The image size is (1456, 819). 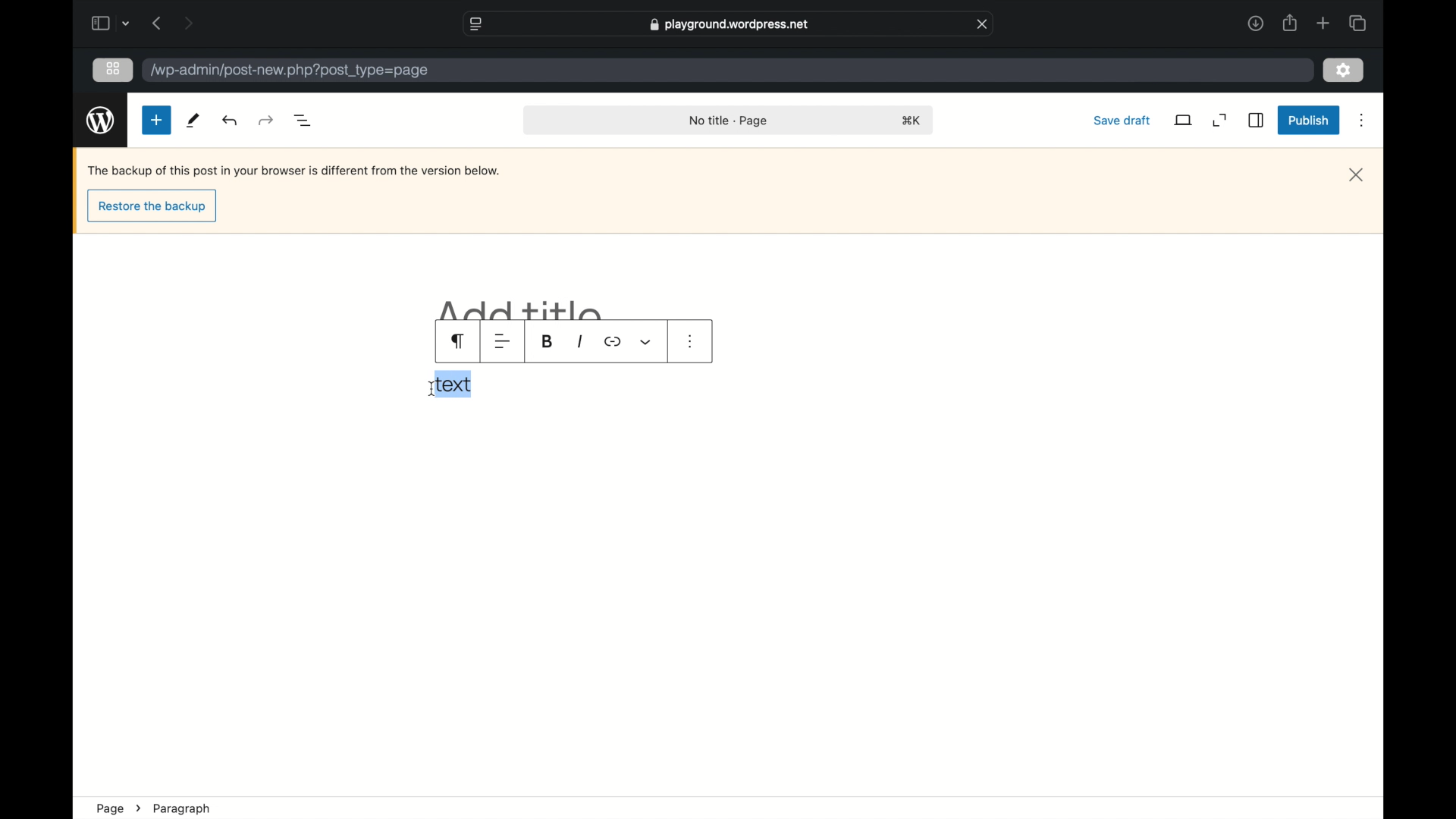 What do you see at coordinates (1309, 121) in the screenshot?
I see `publish` at bounding box center [1309, 121].